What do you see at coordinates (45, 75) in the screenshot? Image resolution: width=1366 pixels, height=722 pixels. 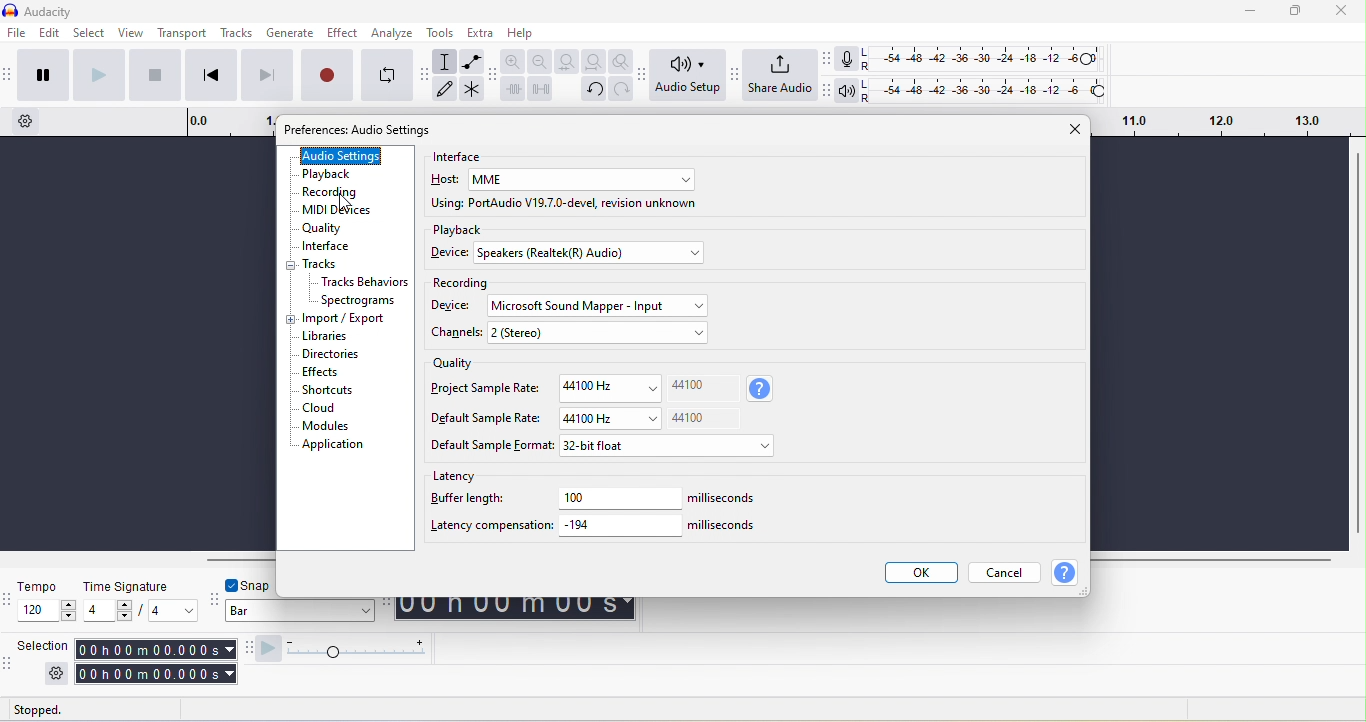 I see `pause` at bounding box center [45, 75].